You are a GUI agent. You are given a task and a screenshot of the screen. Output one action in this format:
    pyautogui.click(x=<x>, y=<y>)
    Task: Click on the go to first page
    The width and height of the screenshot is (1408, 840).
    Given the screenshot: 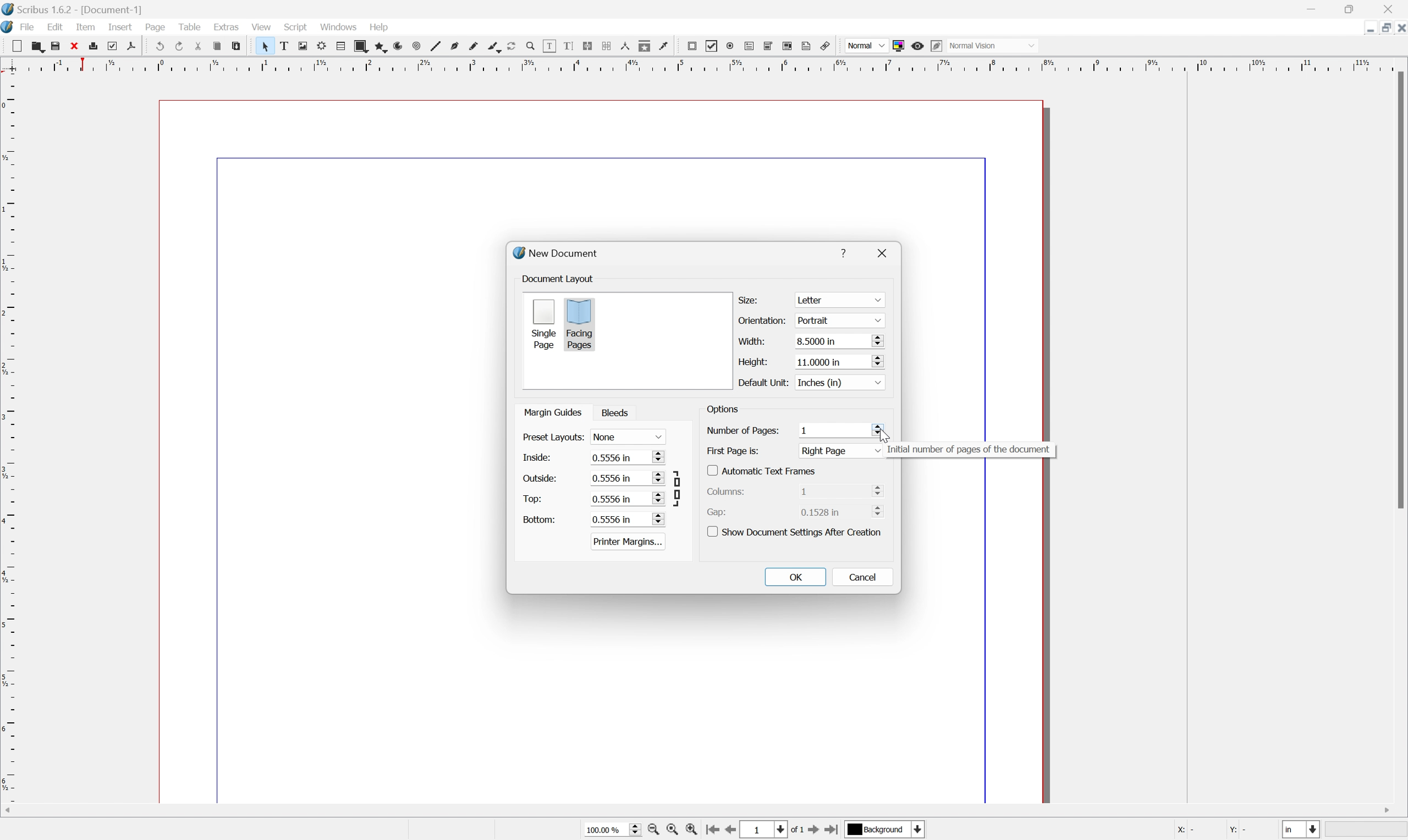 What is the action you would take?
    pyautogui.click(x=714, y=831)
    